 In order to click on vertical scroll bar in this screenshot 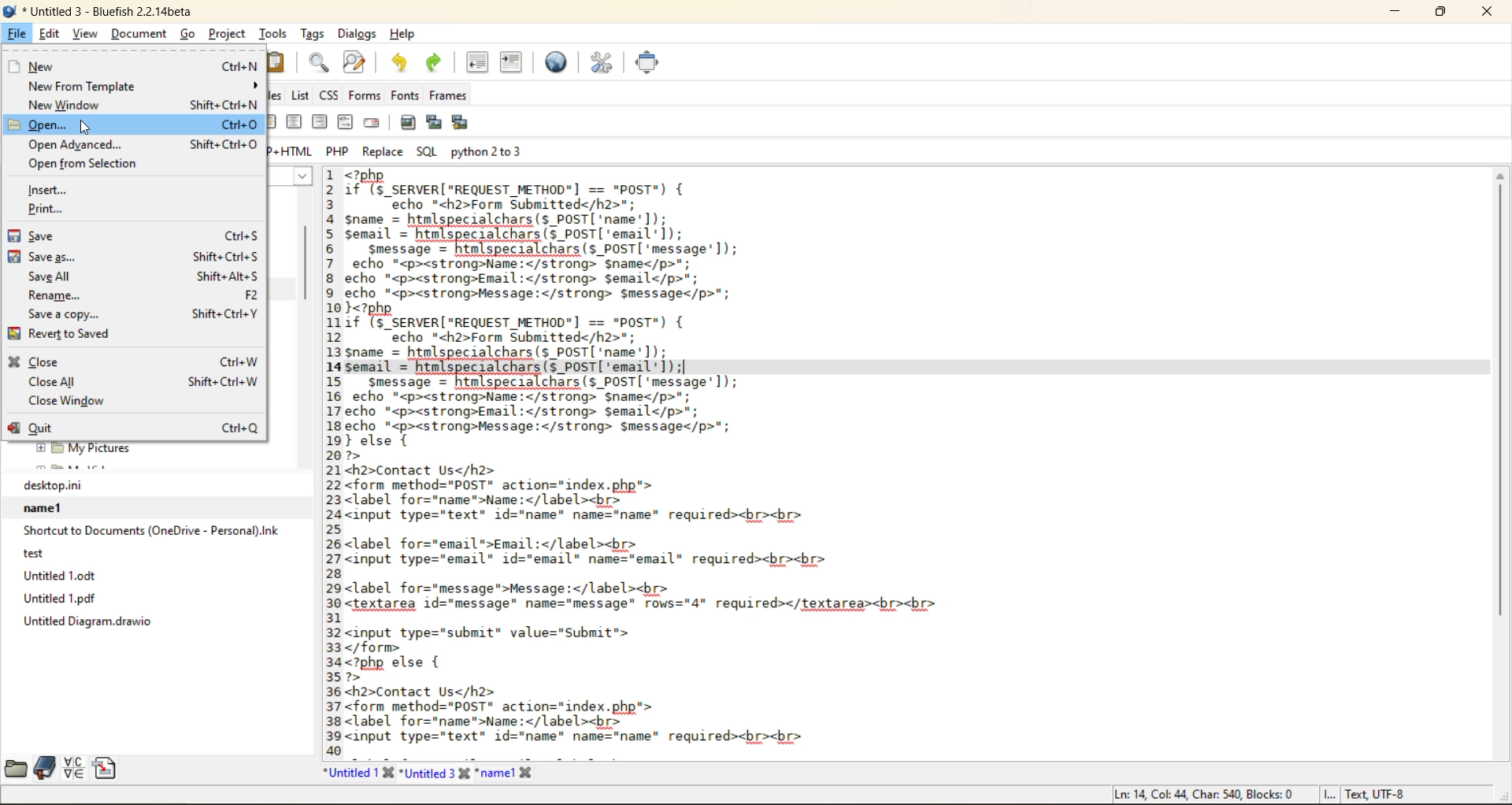, I will do `click(306, 255)`.